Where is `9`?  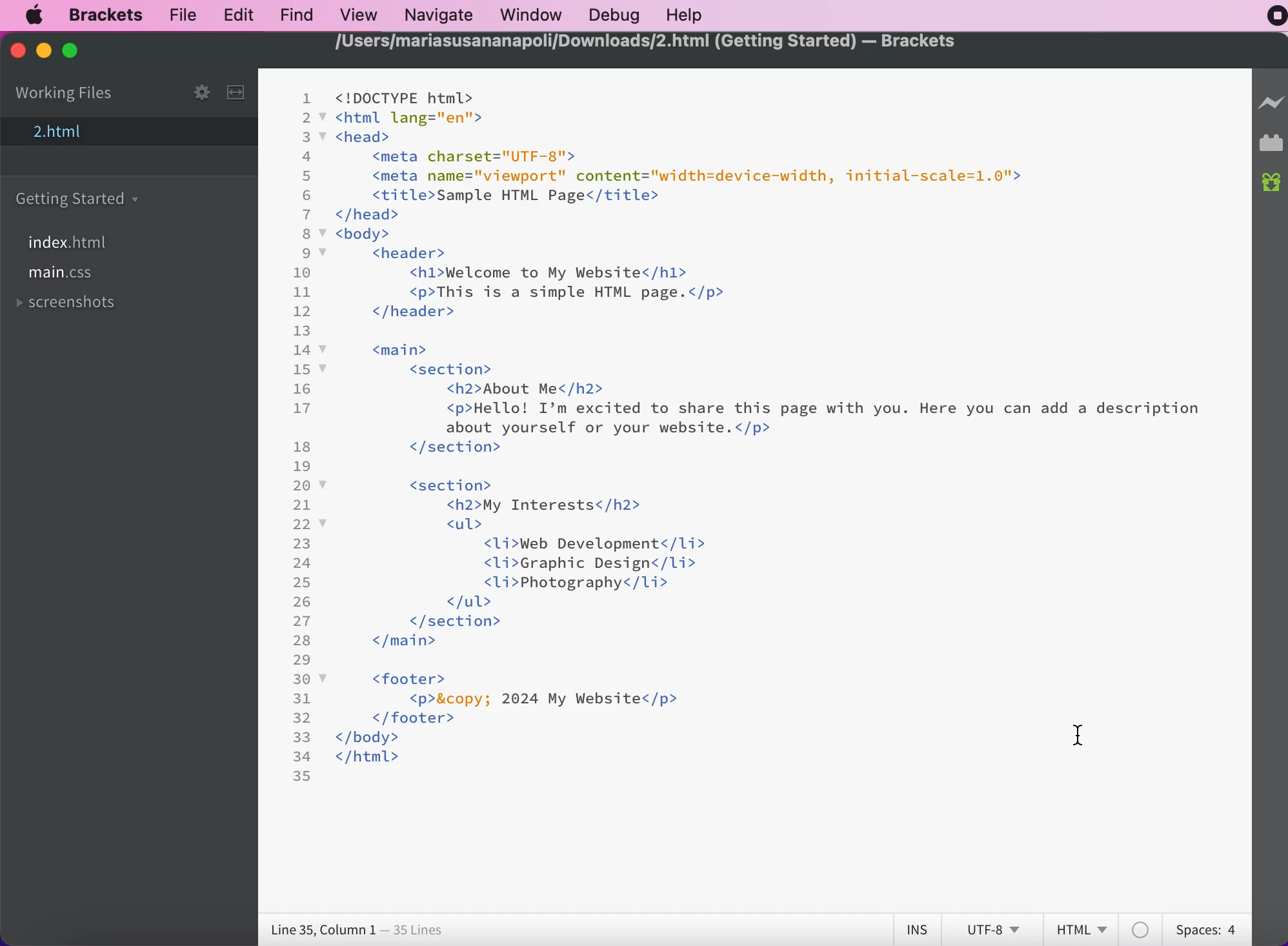 9 is located at coordinates (308, 254).